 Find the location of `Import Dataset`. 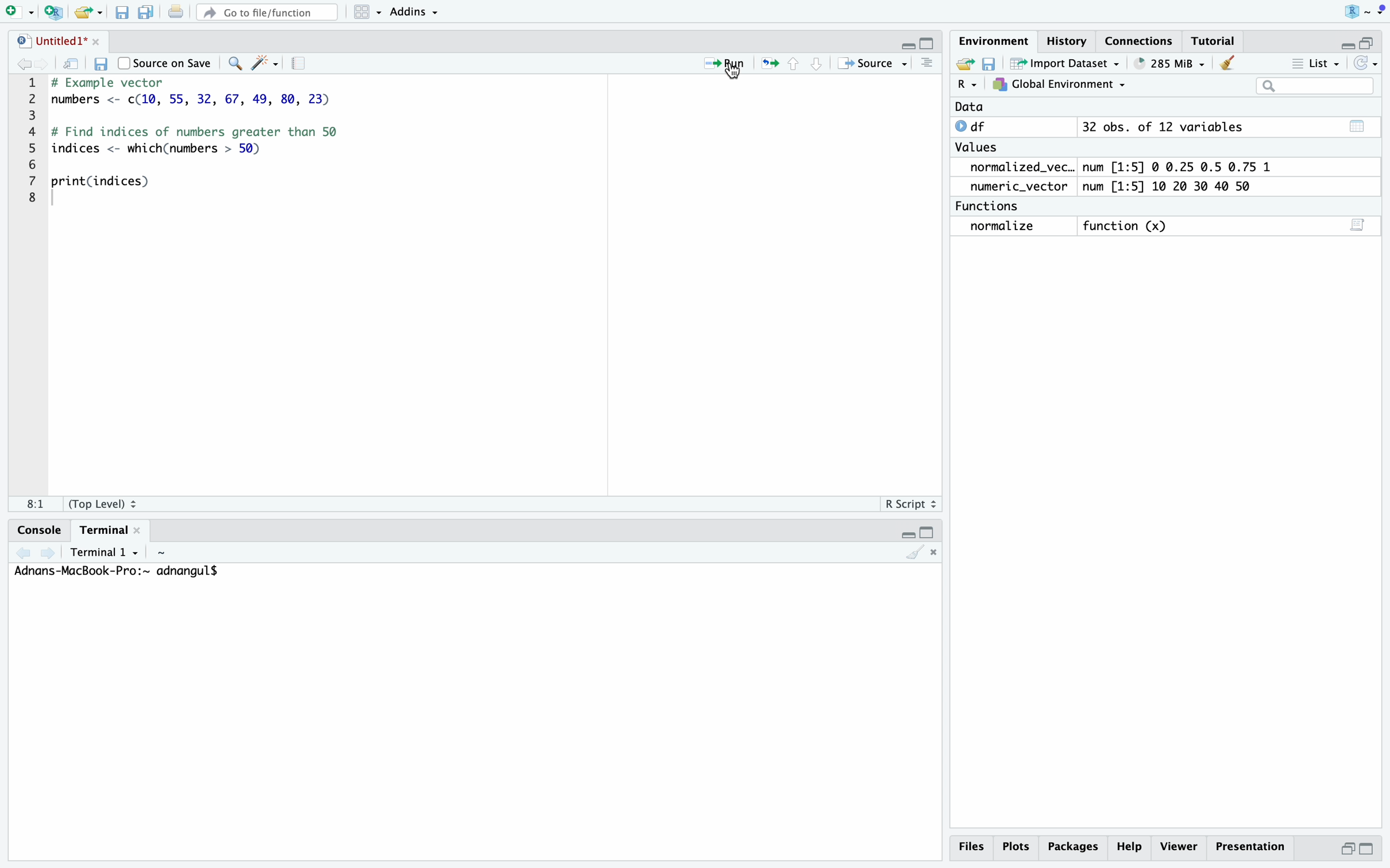

Import Dataset is located at coordinates (1062, 64).